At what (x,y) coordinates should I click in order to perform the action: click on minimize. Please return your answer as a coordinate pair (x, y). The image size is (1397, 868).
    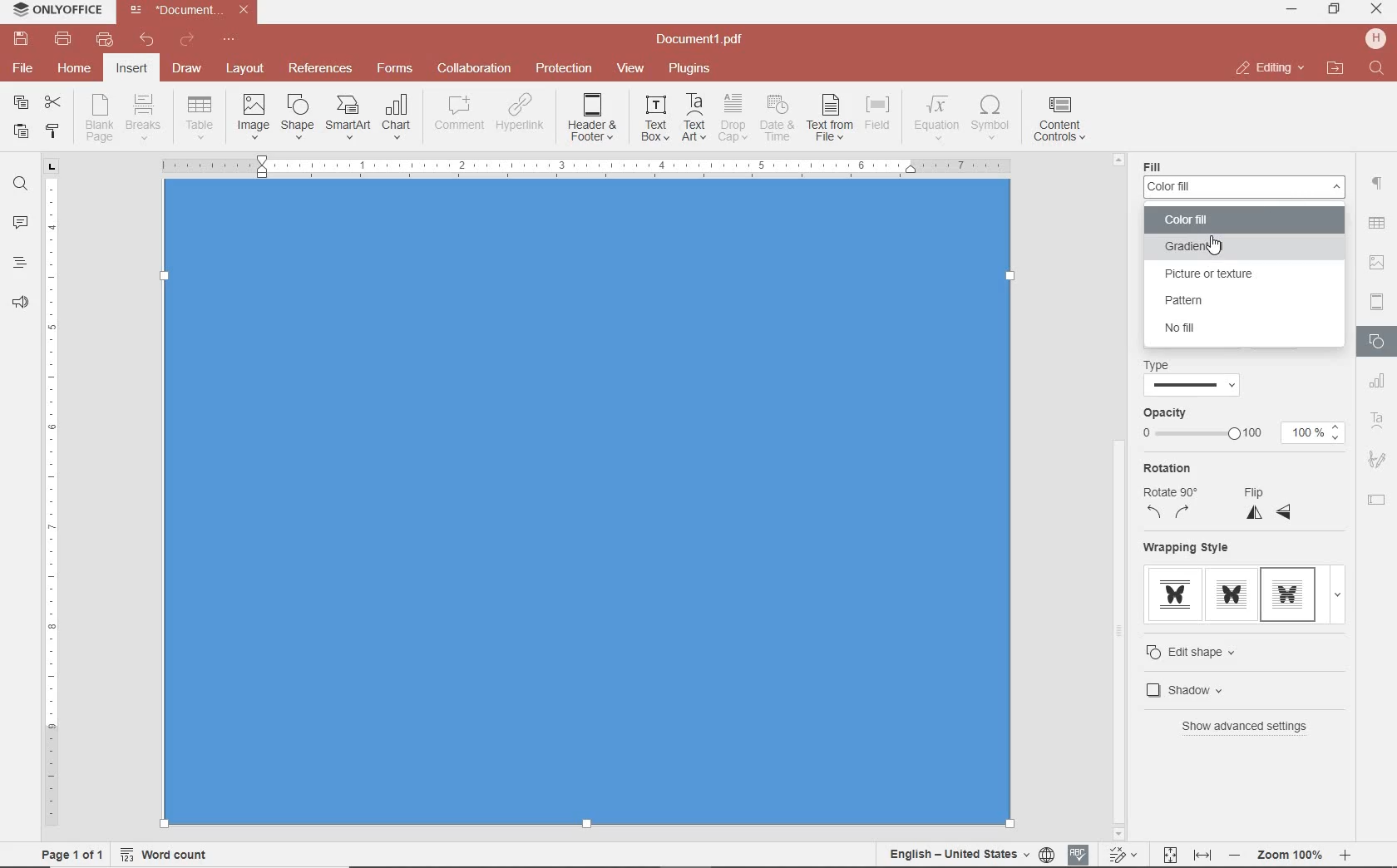
    Looking at the image, I should click on (1293, 9).